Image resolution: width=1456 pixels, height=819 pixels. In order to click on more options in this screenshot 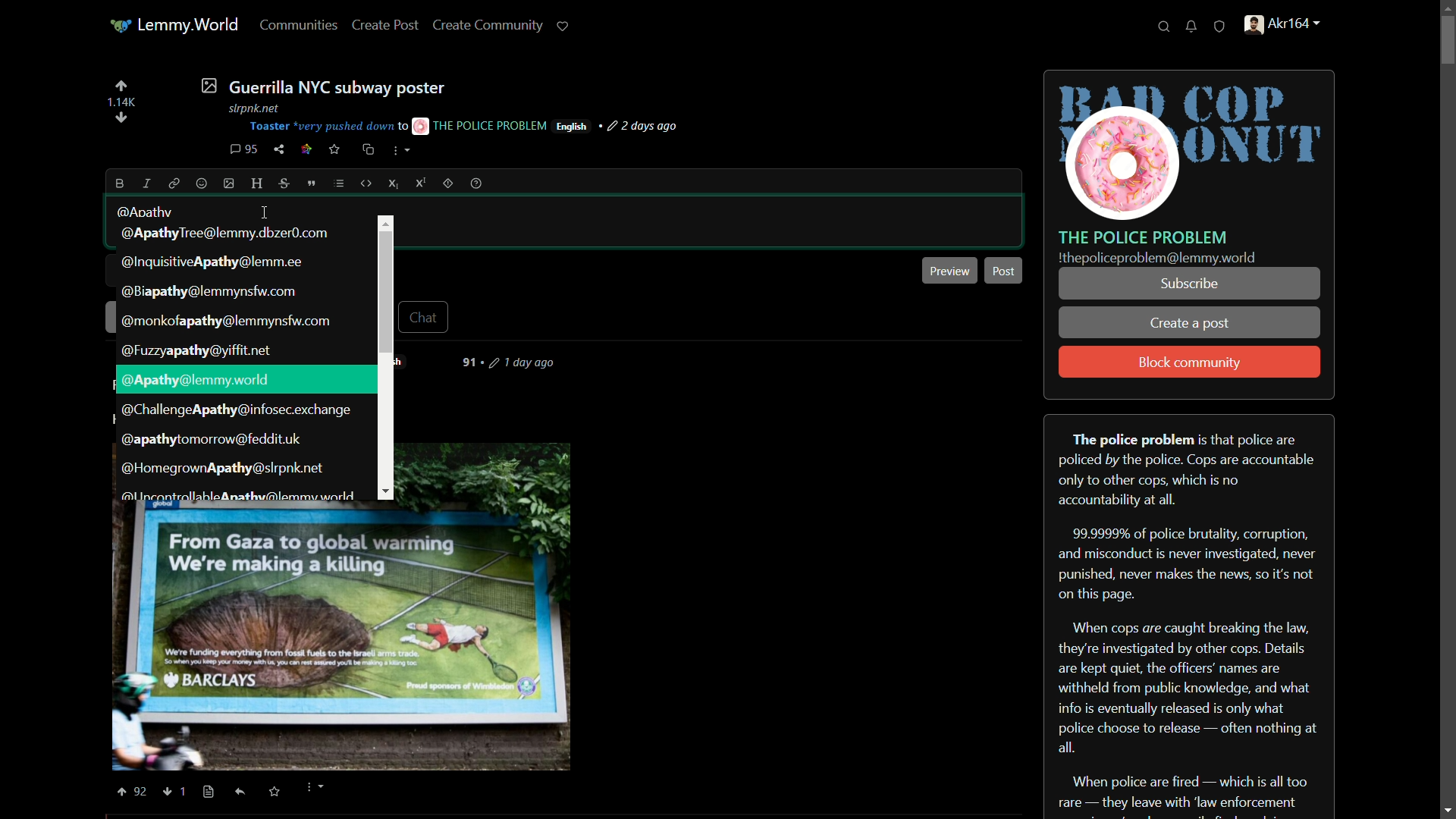, I will do `click(401, 152)`.